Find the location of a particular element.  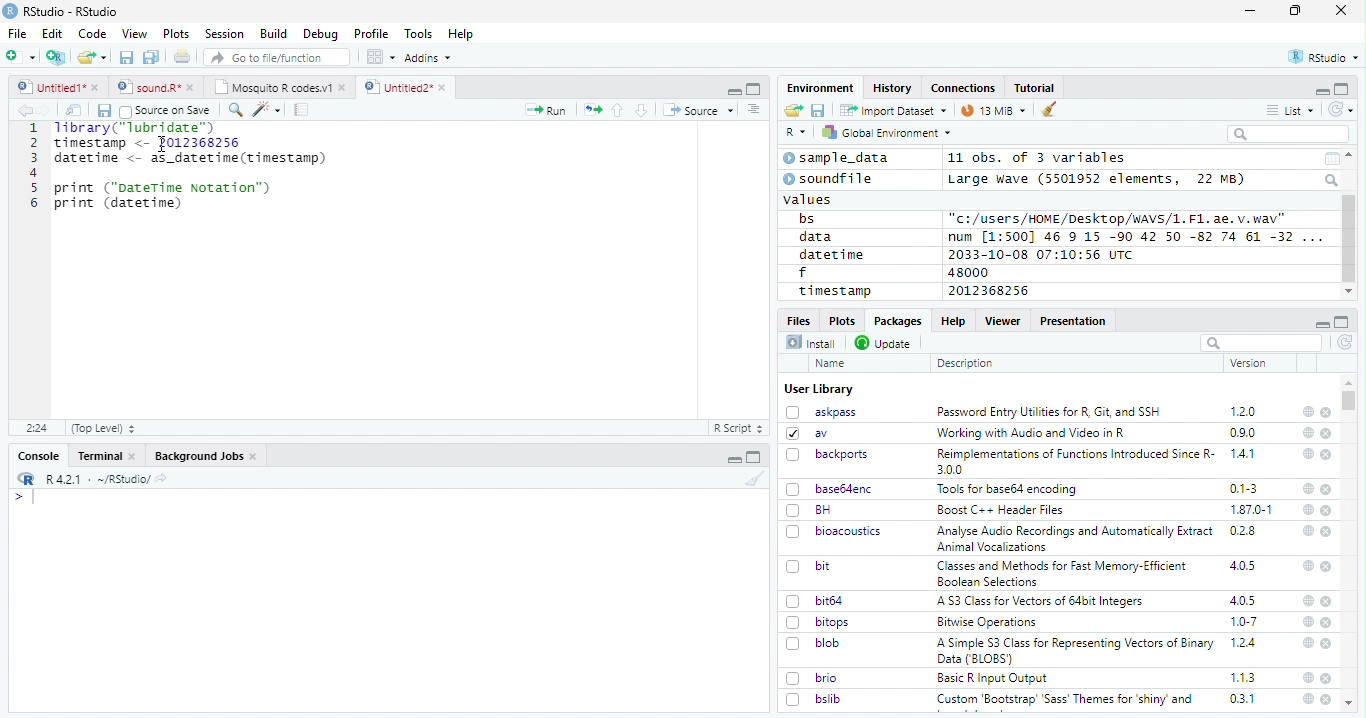

Console is located at coordinates (38, 456).